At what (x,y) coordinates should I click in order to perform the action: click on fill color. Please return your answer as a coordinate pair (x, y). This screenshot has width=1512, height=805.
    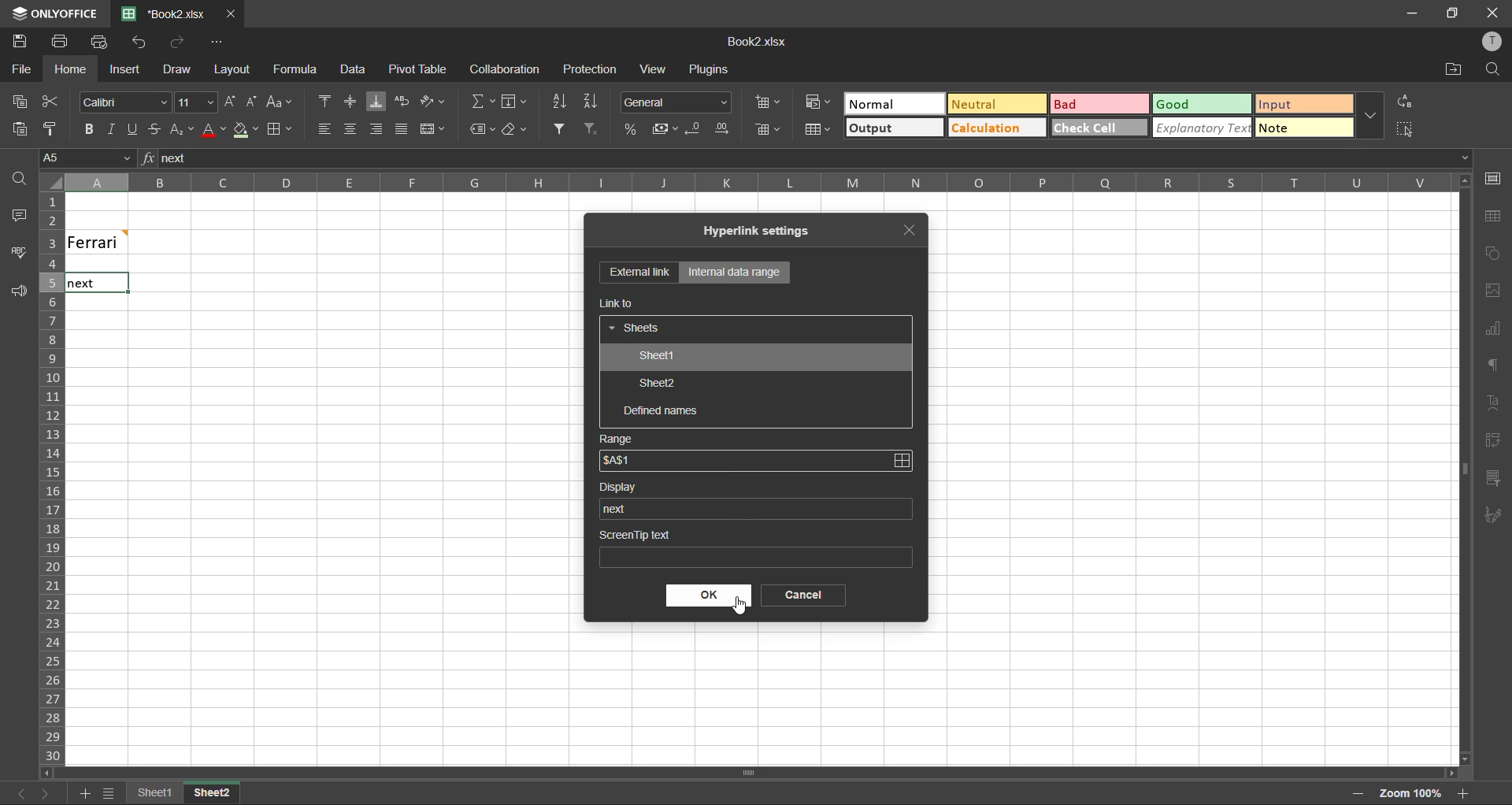
    Looking at the image, I should click on (243, 134).